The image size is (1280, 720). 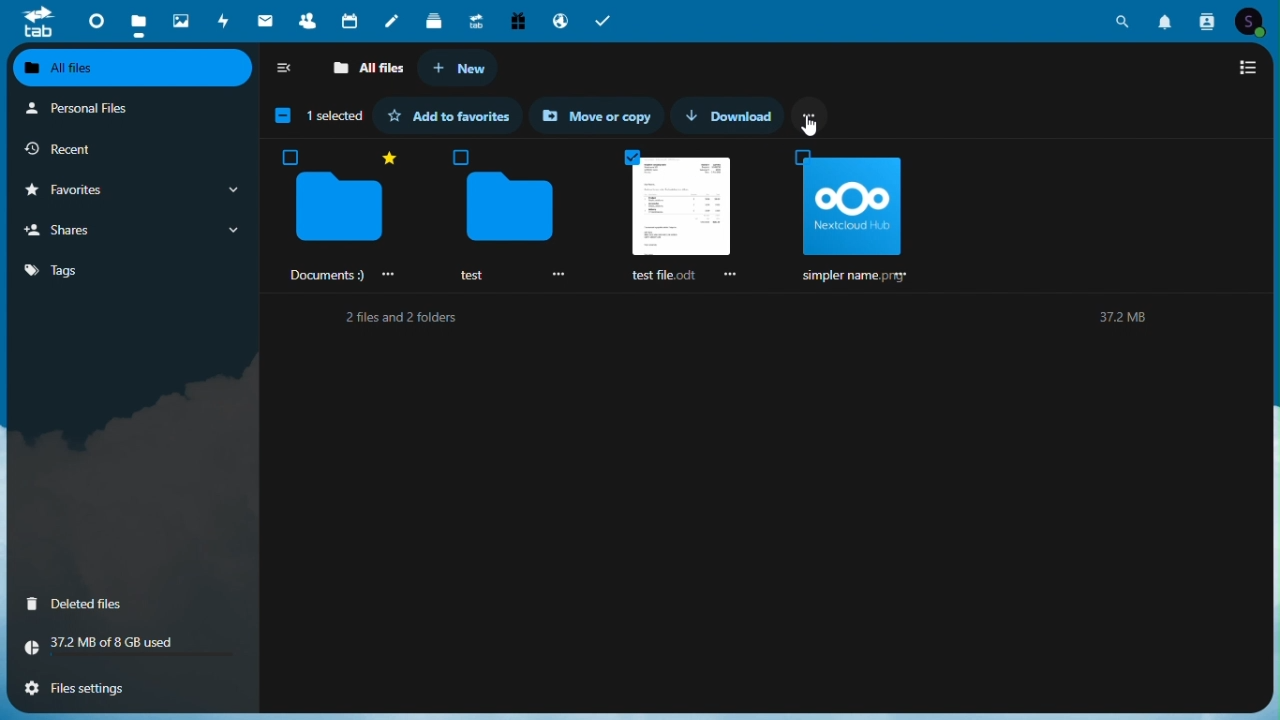 I want to click on New, so click(x=465, y=66).